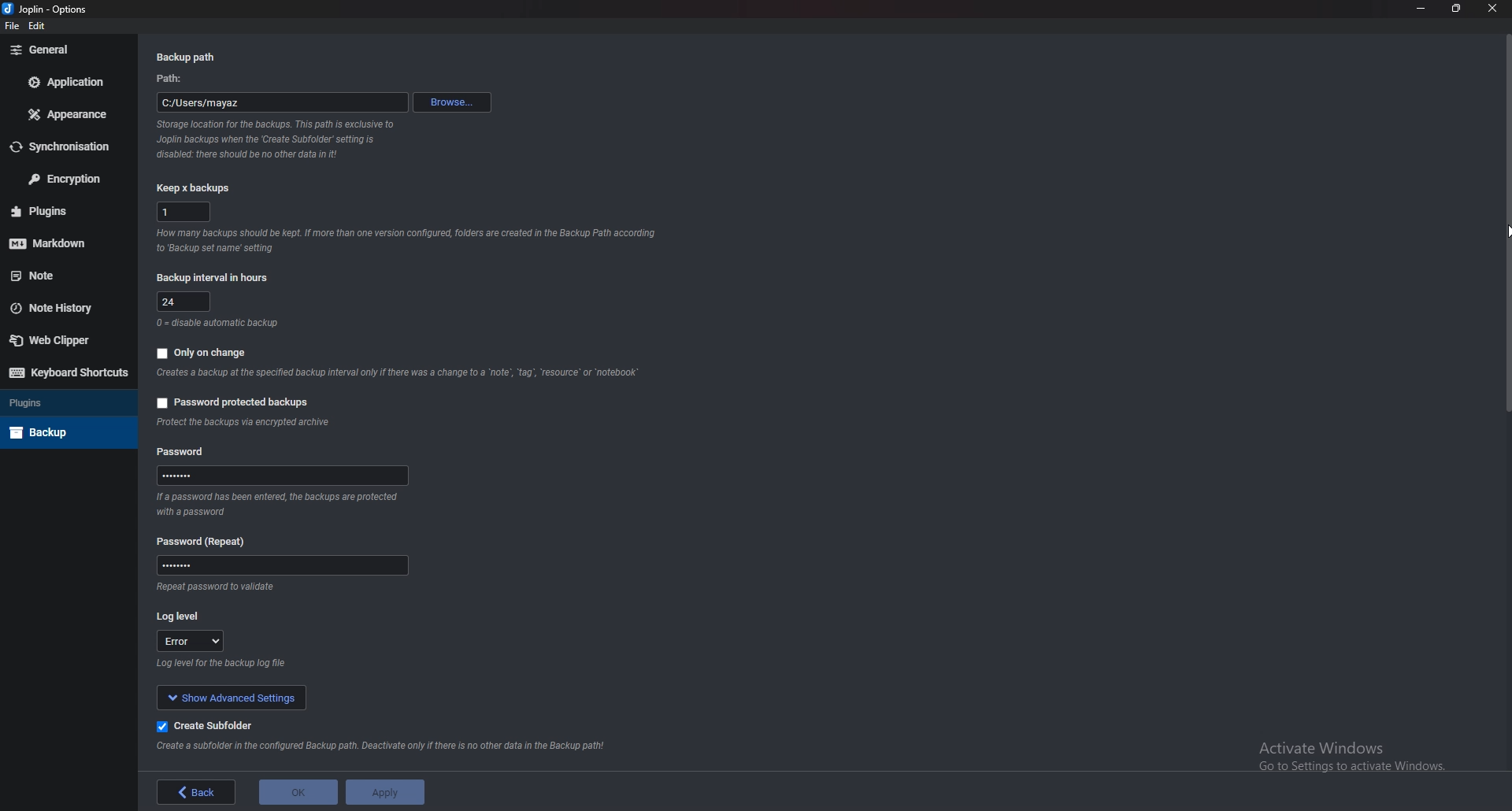 This screenshot has height=811, width=1512. What do you see at coordinates (232, 696) in the screenshot?
I see `Show advanced settings` at bounding box center [232, 696].